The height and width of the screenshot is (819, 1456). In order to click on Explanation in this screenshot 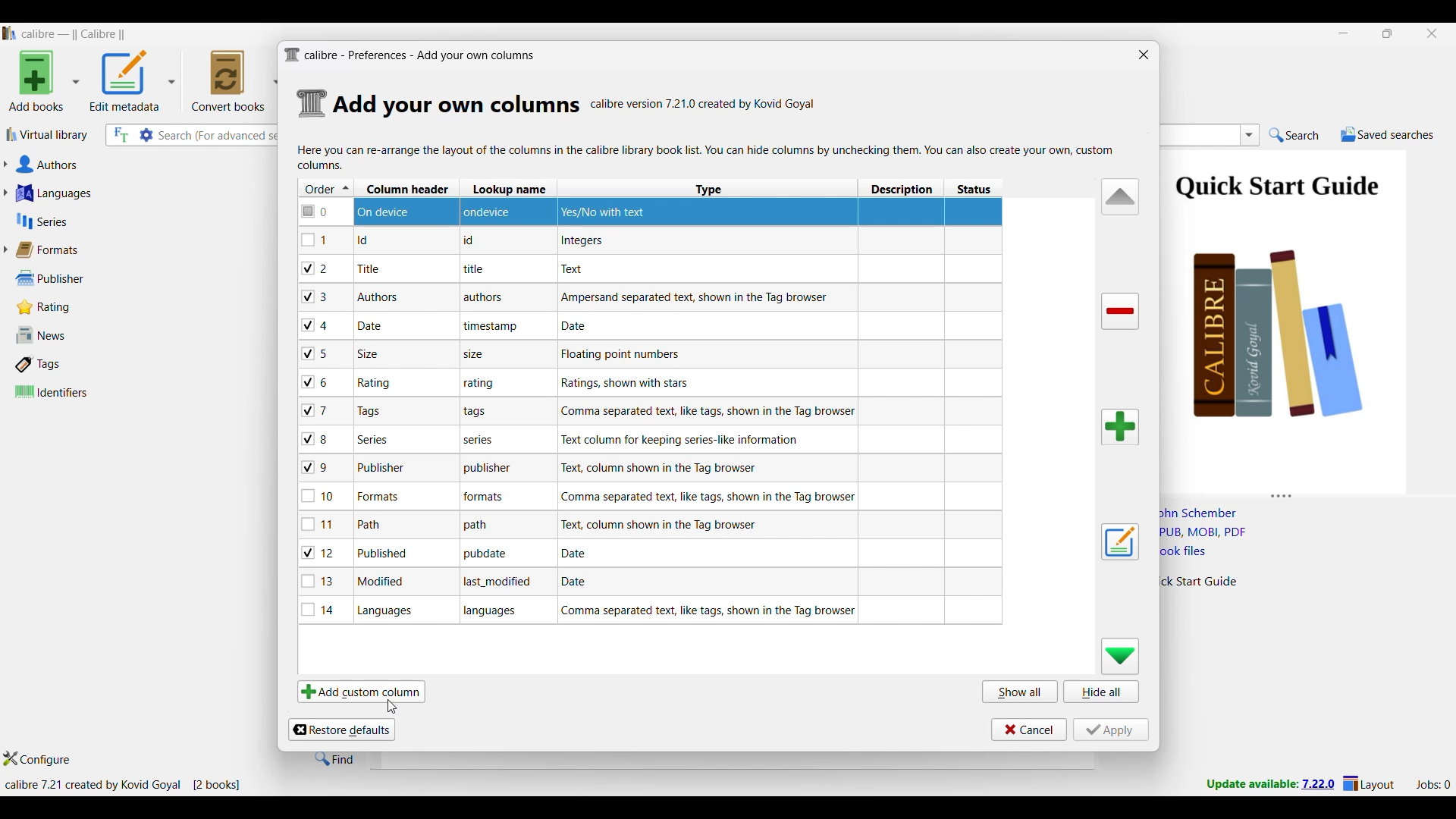, I will do `click(621, 355)`.